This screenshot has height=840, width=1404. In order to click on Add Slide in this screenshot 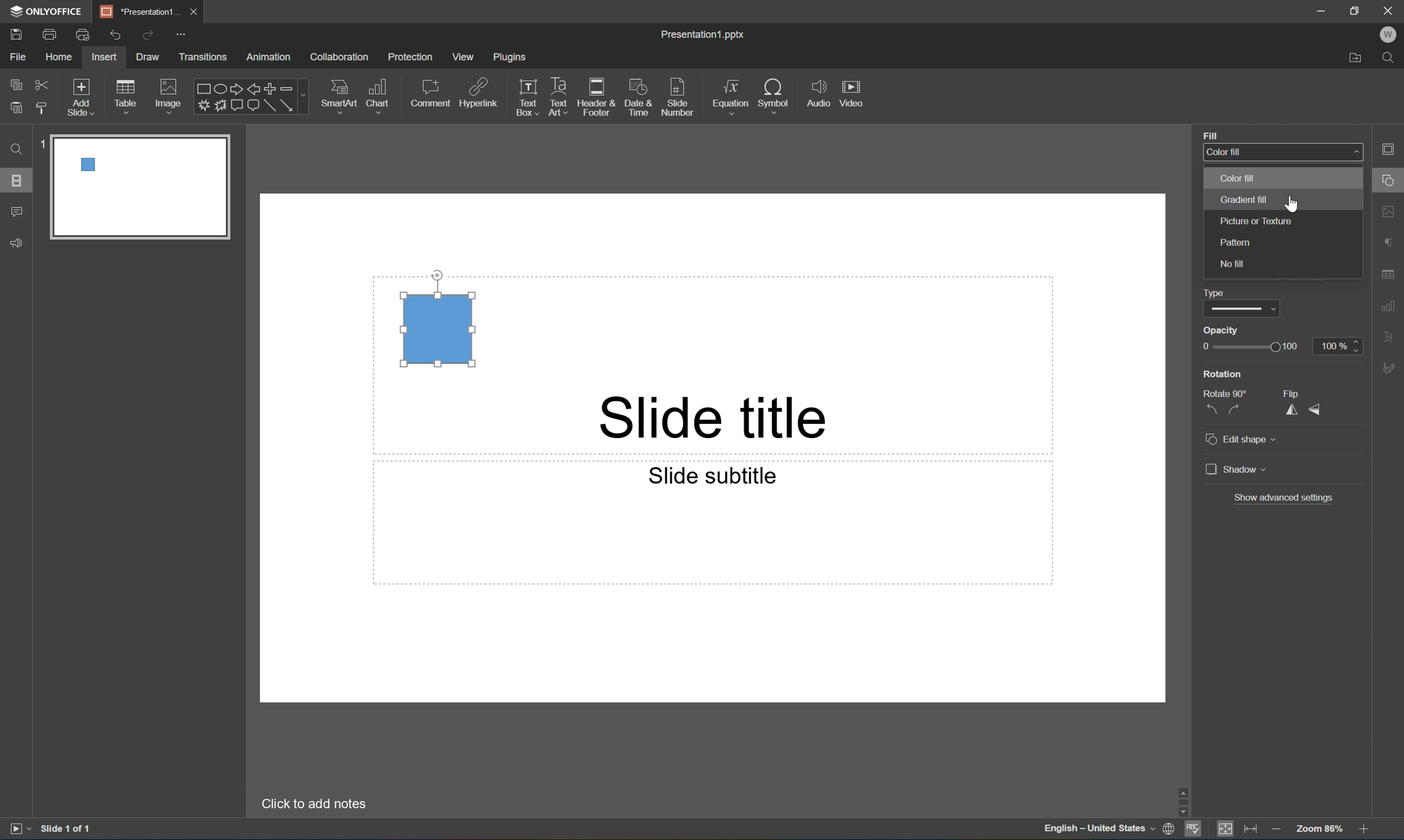, I will do `click(82, 98)`.